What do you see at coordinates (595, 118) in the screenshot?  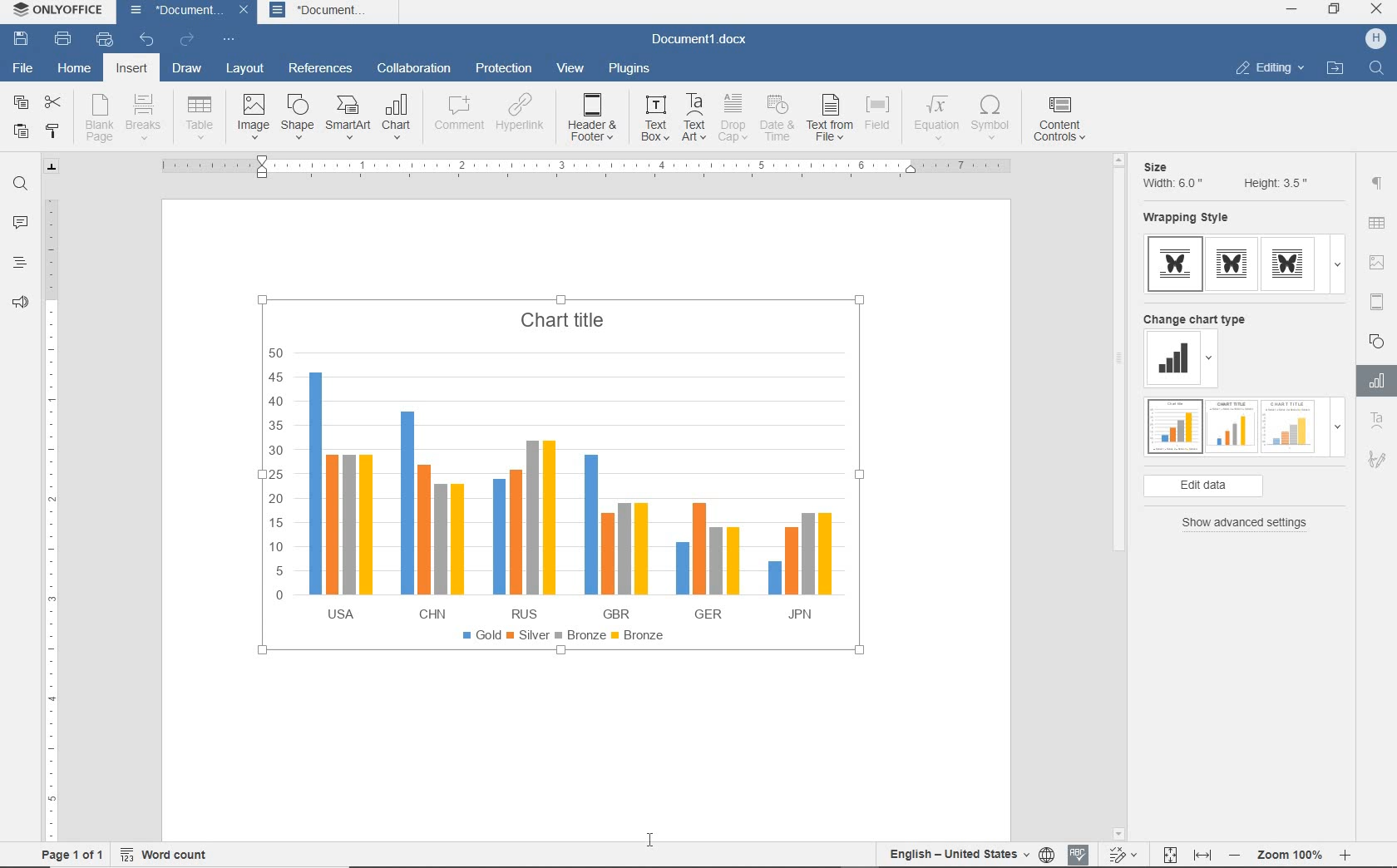 I see `header & footer` at bounding box center [595, 118].